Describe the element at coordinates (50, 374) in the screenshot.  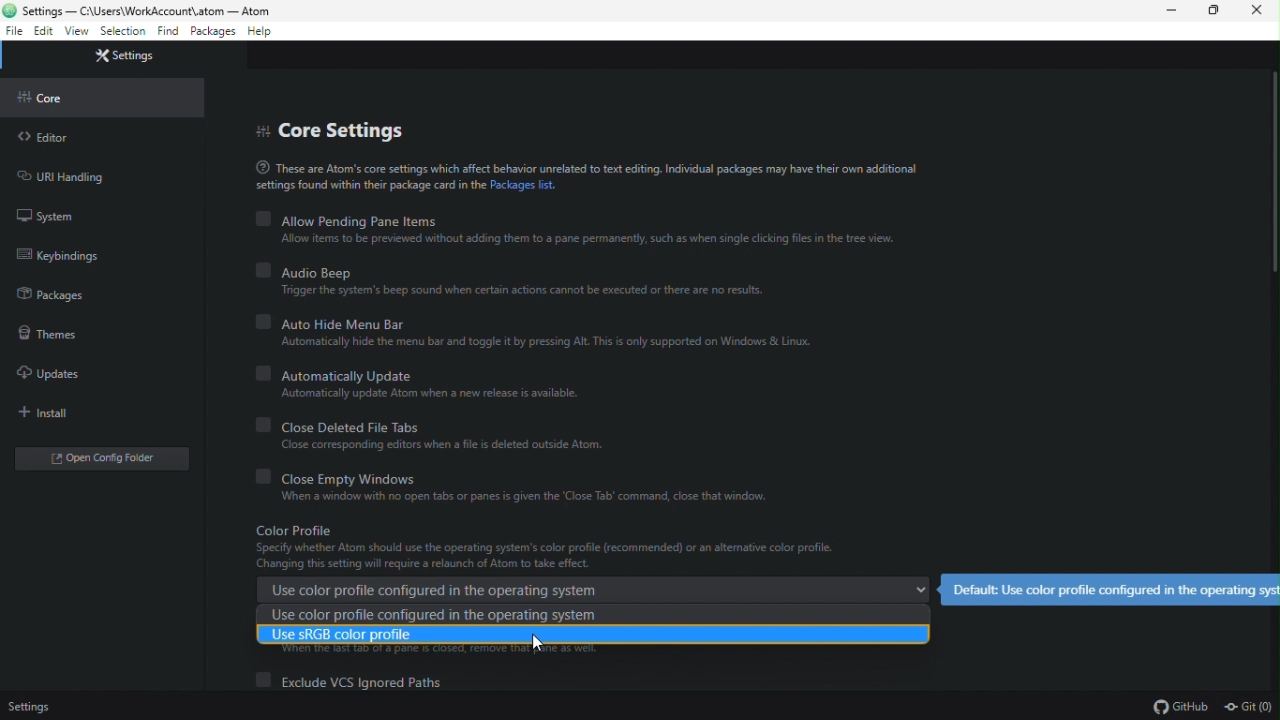
I see `updates` at that location.